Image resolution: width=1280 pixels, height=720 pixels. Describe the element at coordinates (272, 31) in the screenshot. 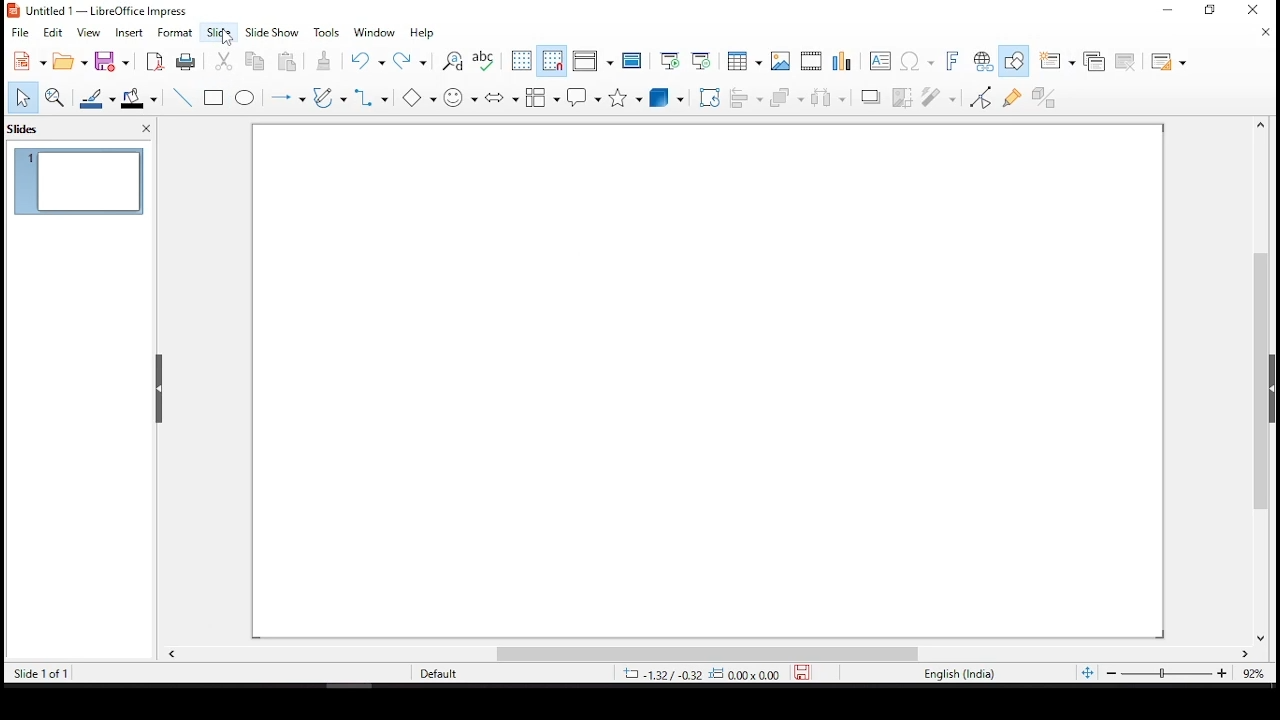

I see `slide show` at that location.